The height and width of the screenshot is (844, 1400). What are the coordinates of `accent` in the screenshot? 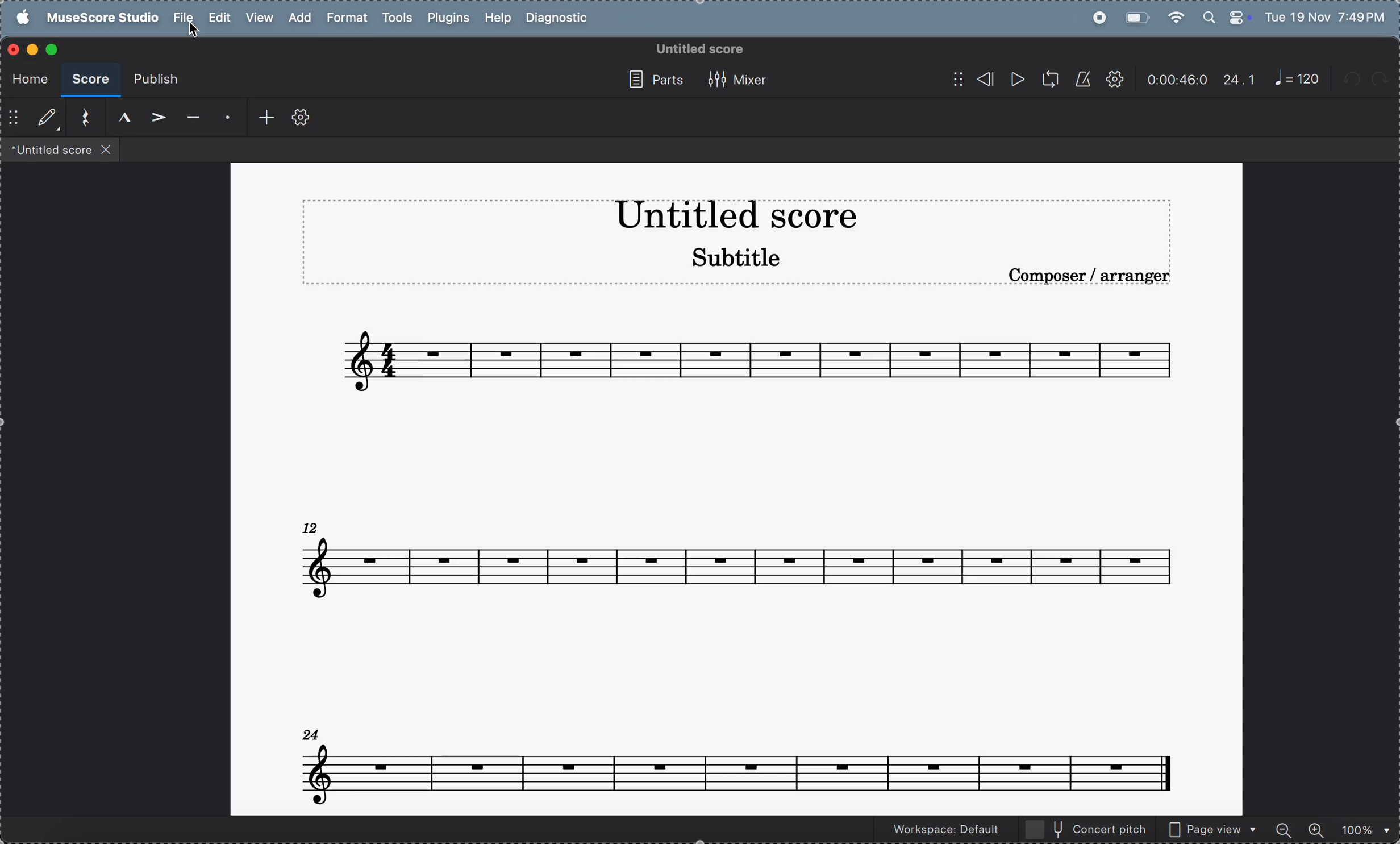 It's located at (155, 118).